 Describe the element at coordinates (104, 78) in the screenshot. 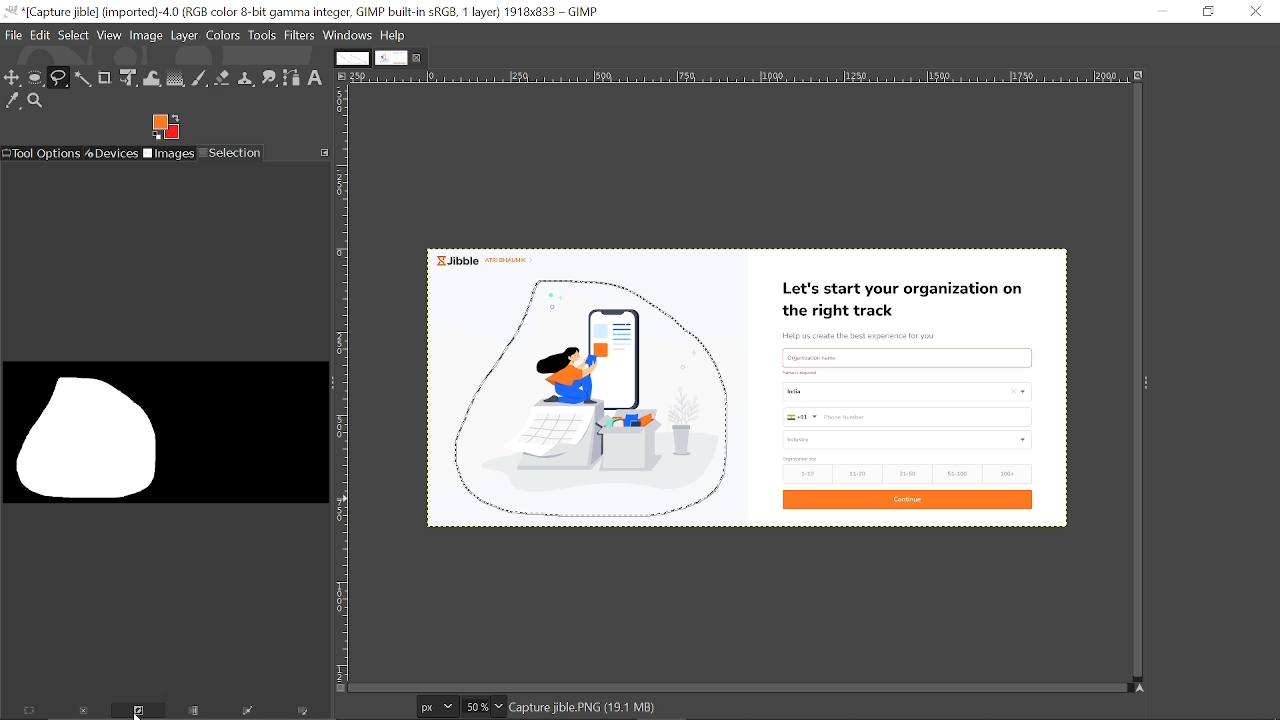

I see `Crop tool` at that location.